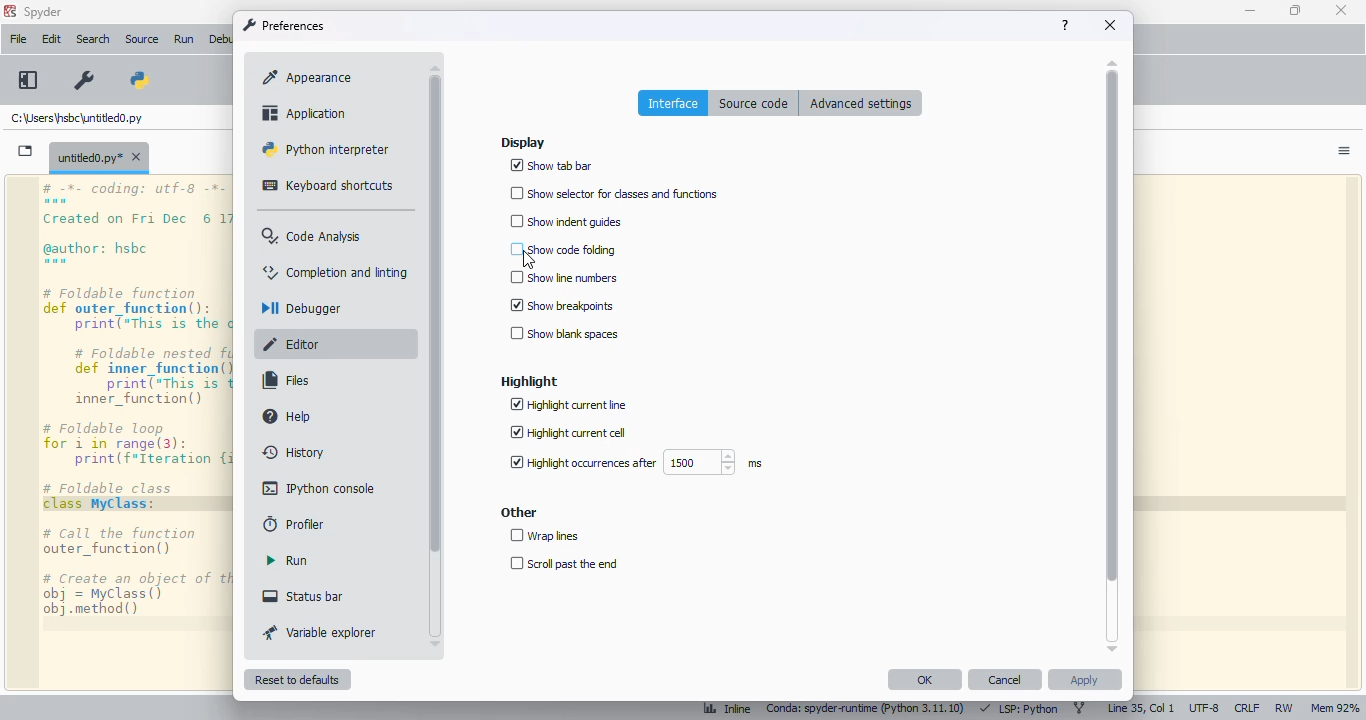 This screenshot has width=1366, height=720. What do you see at coordinates (1205, 709) in the screenshot?
I see `UTF-8` at bounding box center [1205, 709].